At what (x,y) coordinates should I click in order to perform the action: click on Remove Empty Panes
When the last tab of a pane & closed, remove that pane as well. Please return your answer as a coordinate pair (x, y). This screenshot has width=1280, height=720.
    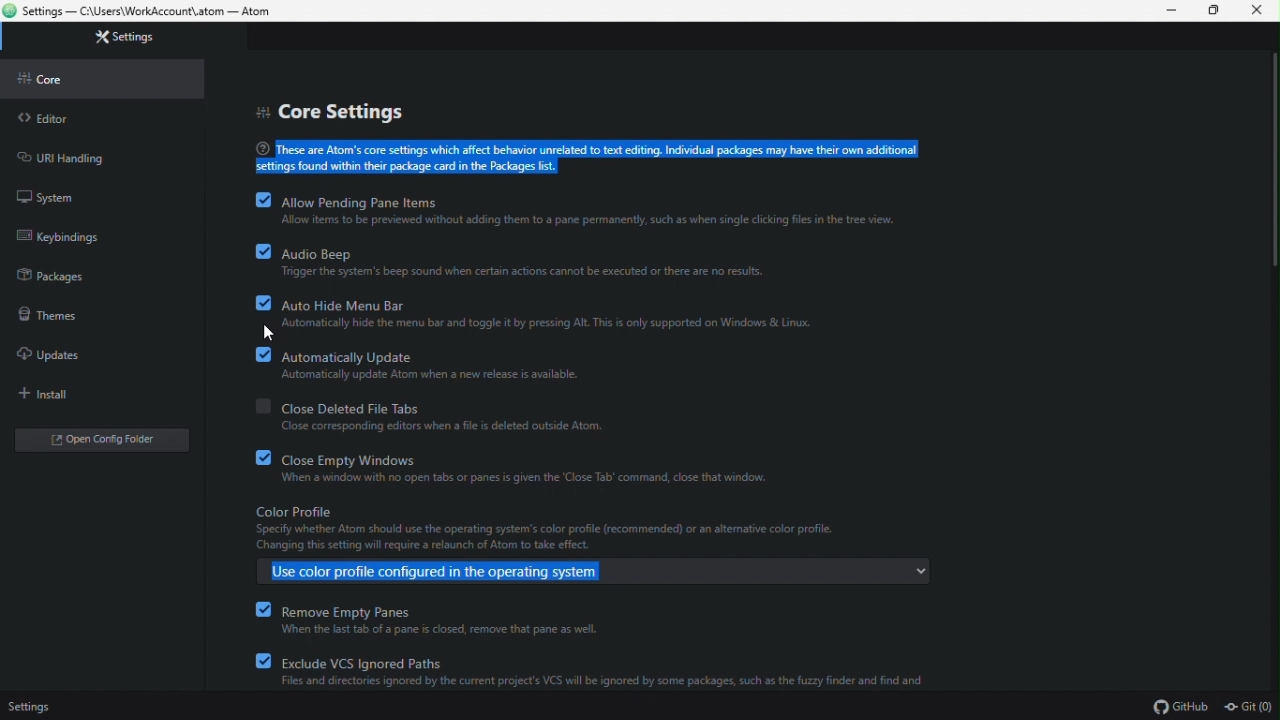
    Looking at the image, I should click on (512, 618).